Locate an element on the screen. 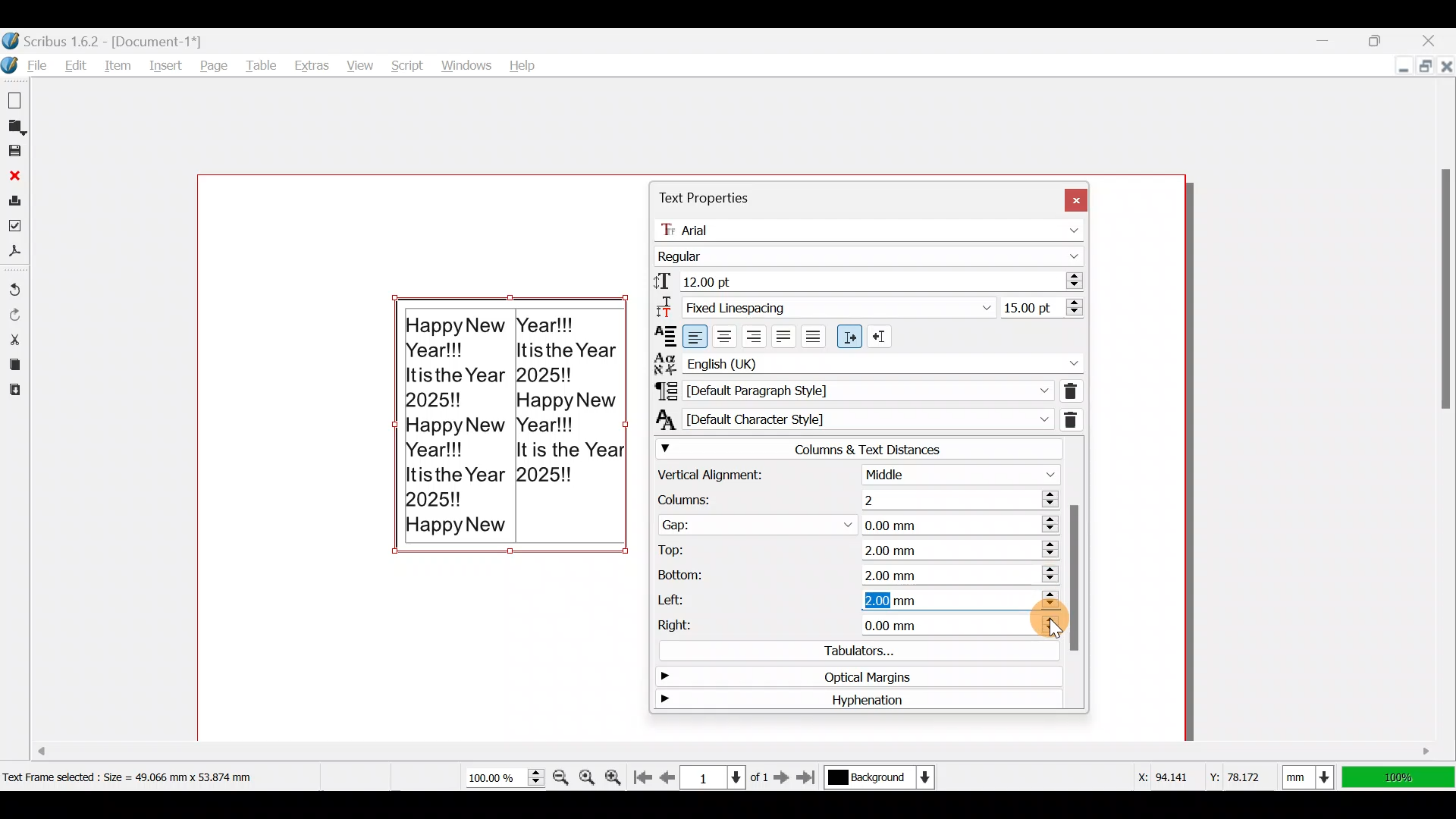  Paste is located at coordinates (14, 392).